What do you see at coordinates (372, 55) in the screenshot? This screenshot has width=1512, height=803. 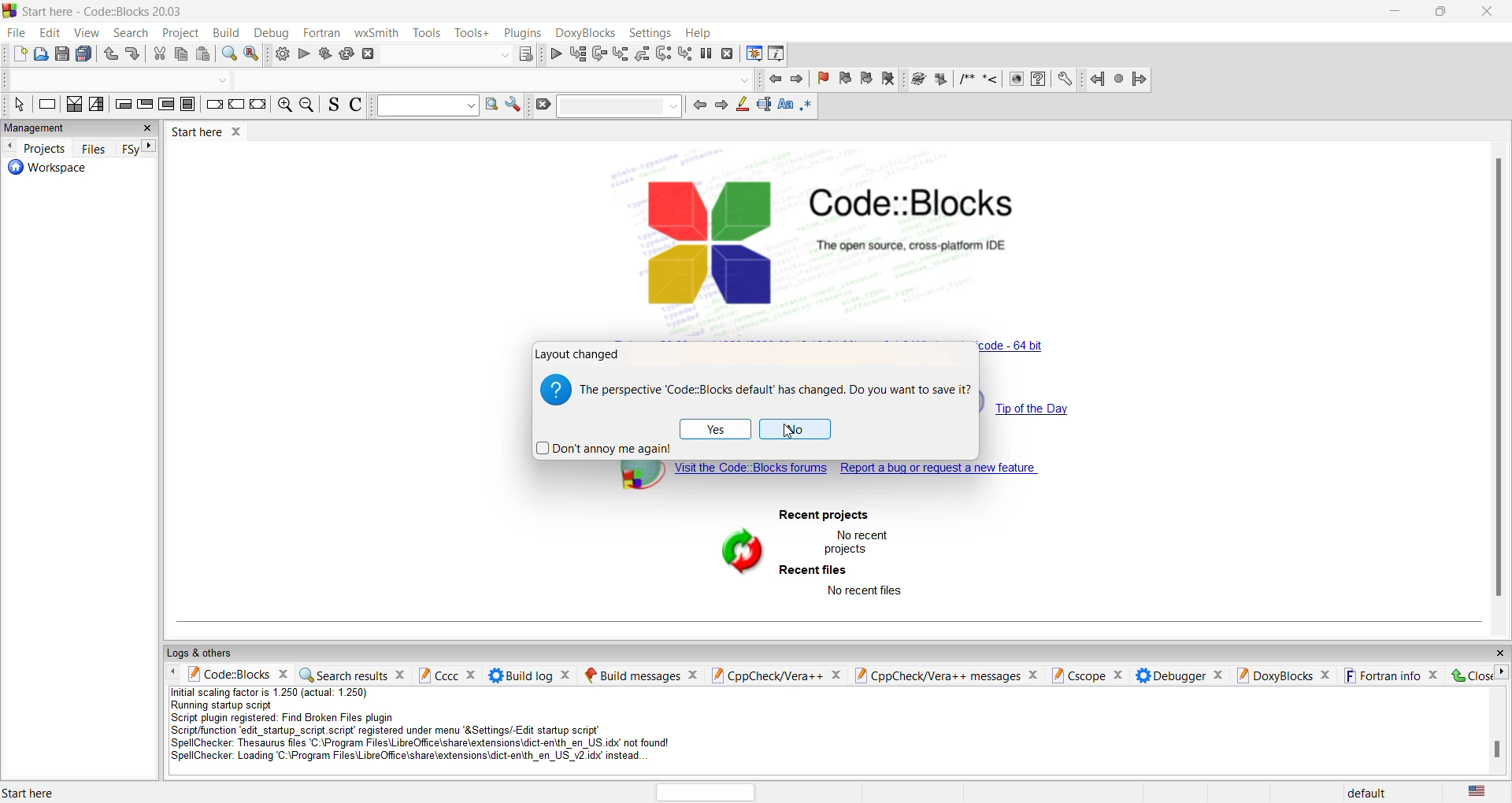 I see `stop build` at bounding box center [372, 55].